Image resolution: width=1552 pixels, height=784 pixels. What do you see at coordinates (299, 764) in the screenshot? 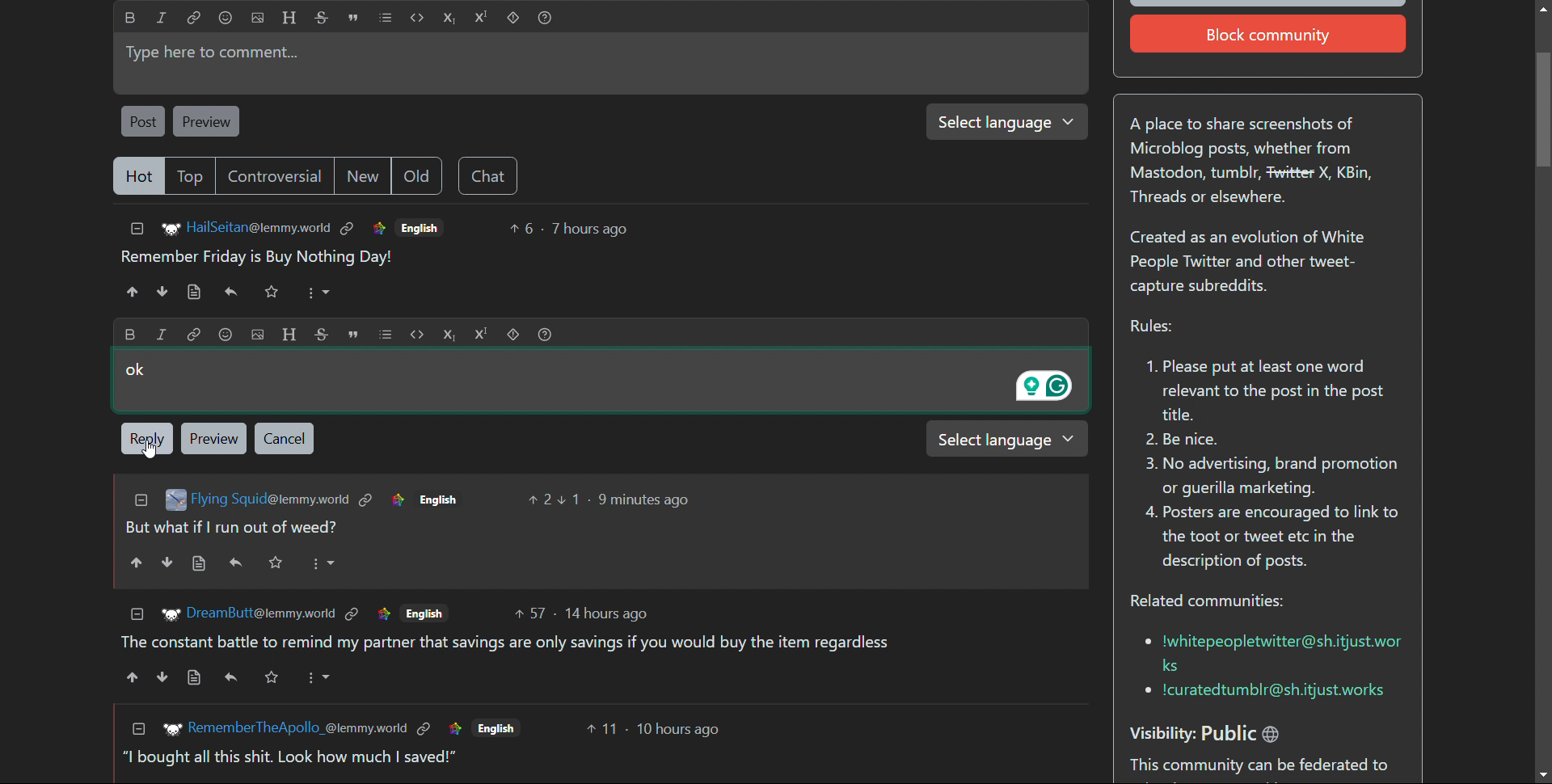
I see `comment` at bounding box center [299, 764].